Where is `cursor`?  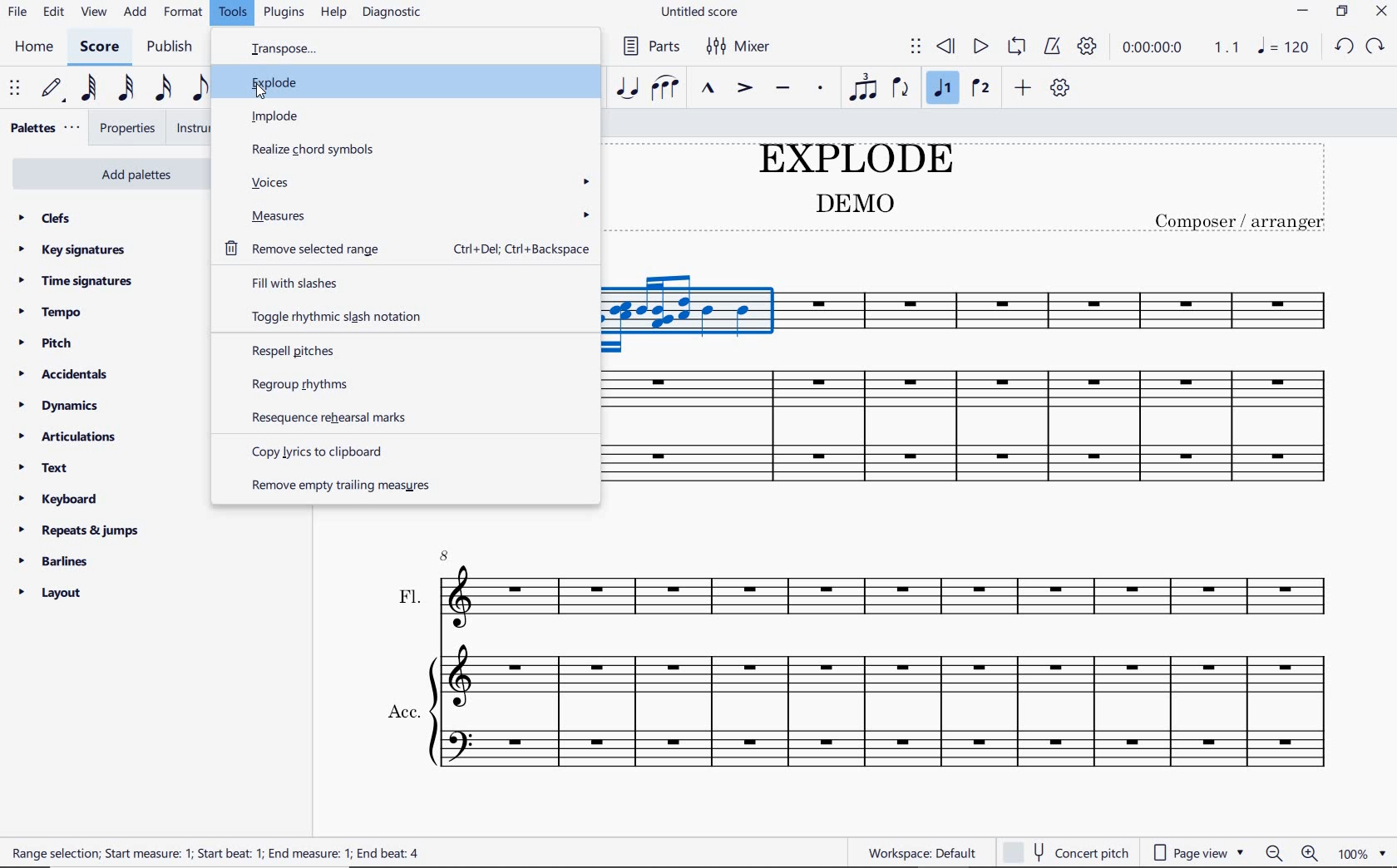 cursor is located at coordinates (263, 93).